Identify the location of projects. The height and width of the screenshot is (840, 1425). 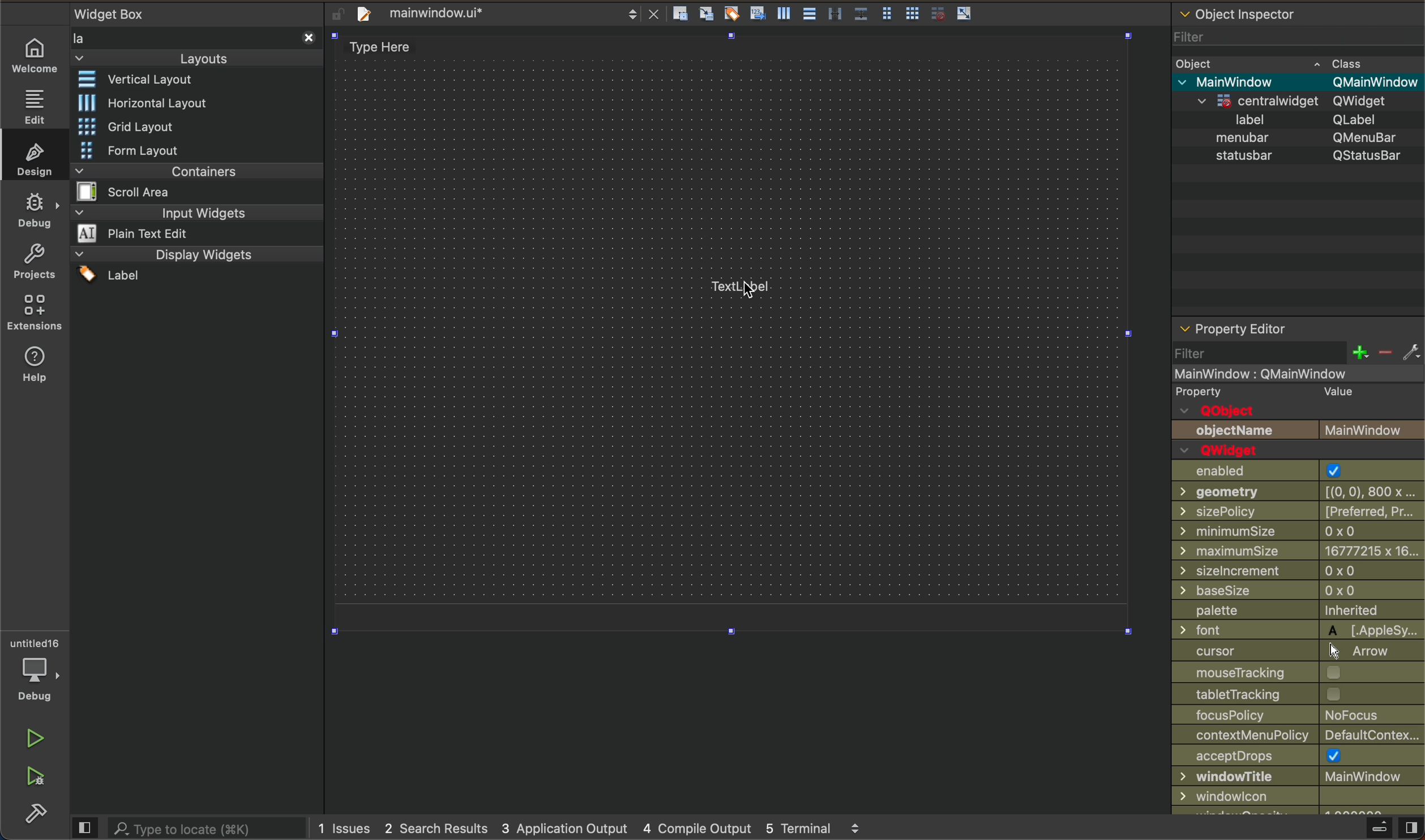
(32, 265).